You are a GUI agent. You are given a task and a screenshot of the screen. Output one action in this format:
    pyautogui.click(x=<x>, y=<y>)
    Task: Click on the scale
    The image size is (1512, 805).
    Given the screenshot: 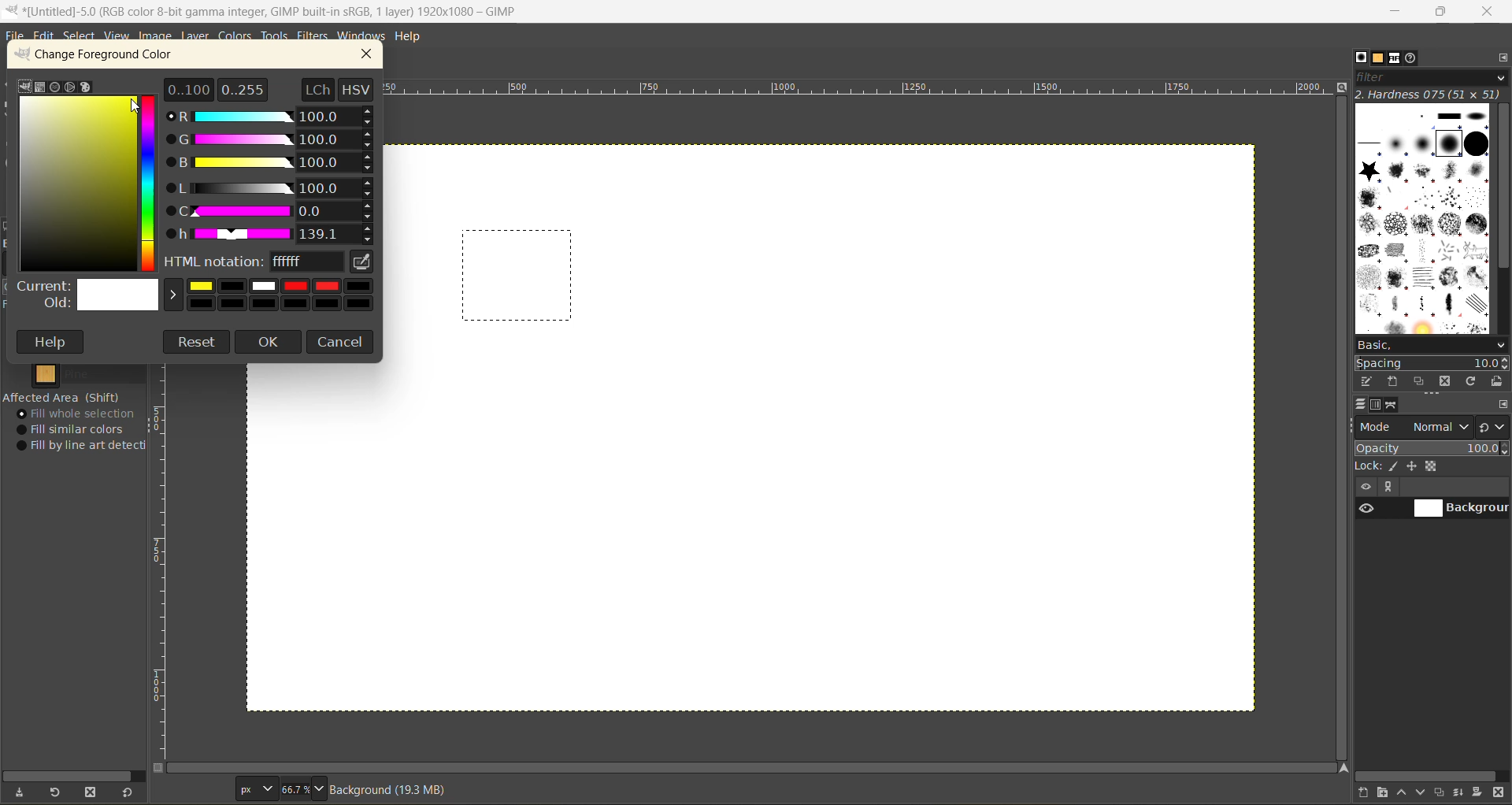 What is the action you would take?
    pyautogui.click(x=163, y=563)
    